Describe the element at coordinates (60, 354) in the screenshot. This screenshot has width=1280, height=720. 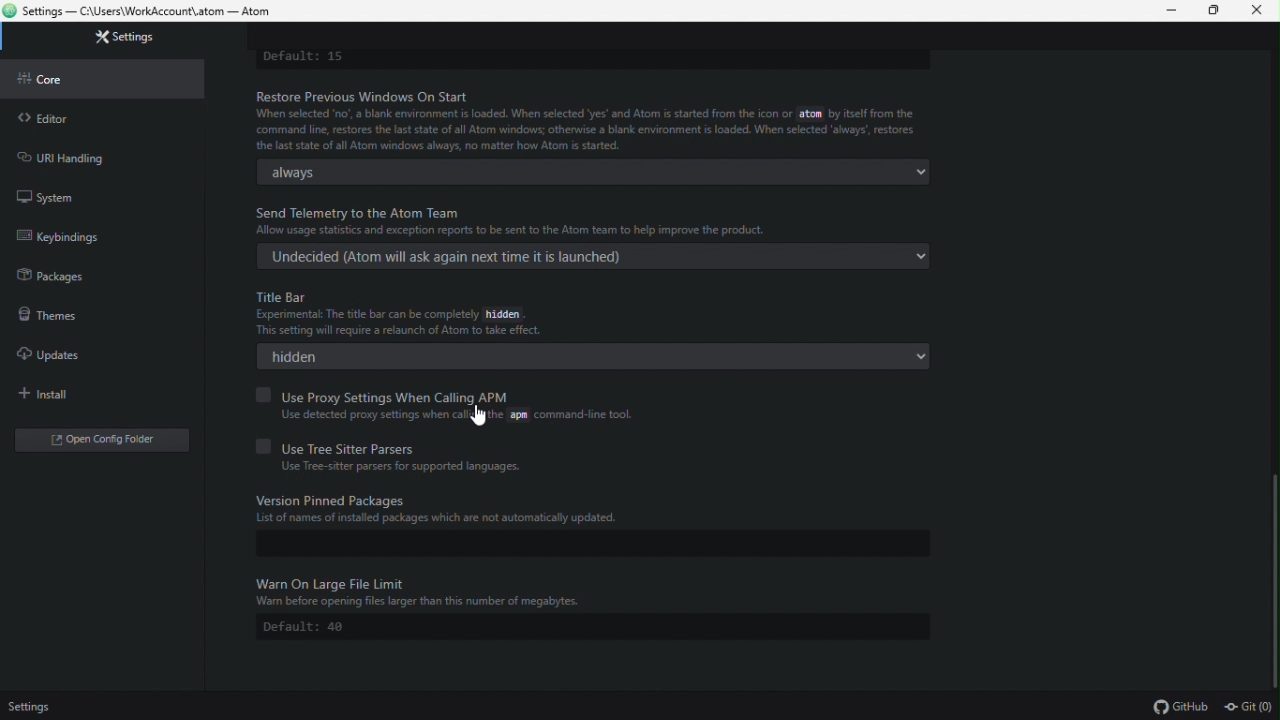
I see `updates` at that location.